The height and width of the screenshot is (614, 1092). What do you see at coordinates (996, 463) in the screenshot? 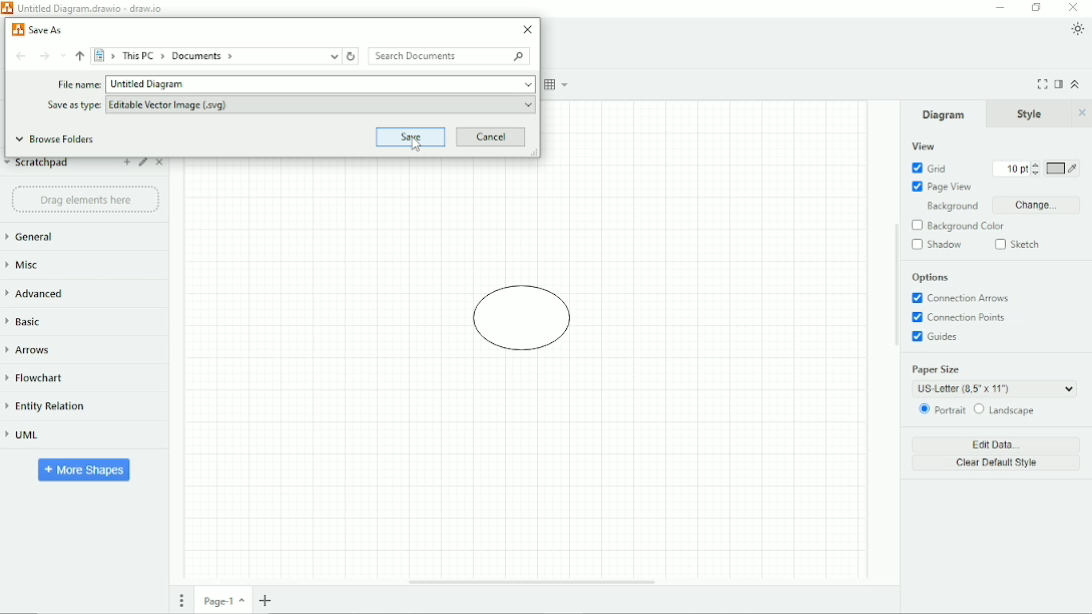
I see `Clear Default Style` at bounding box center [996, 463].